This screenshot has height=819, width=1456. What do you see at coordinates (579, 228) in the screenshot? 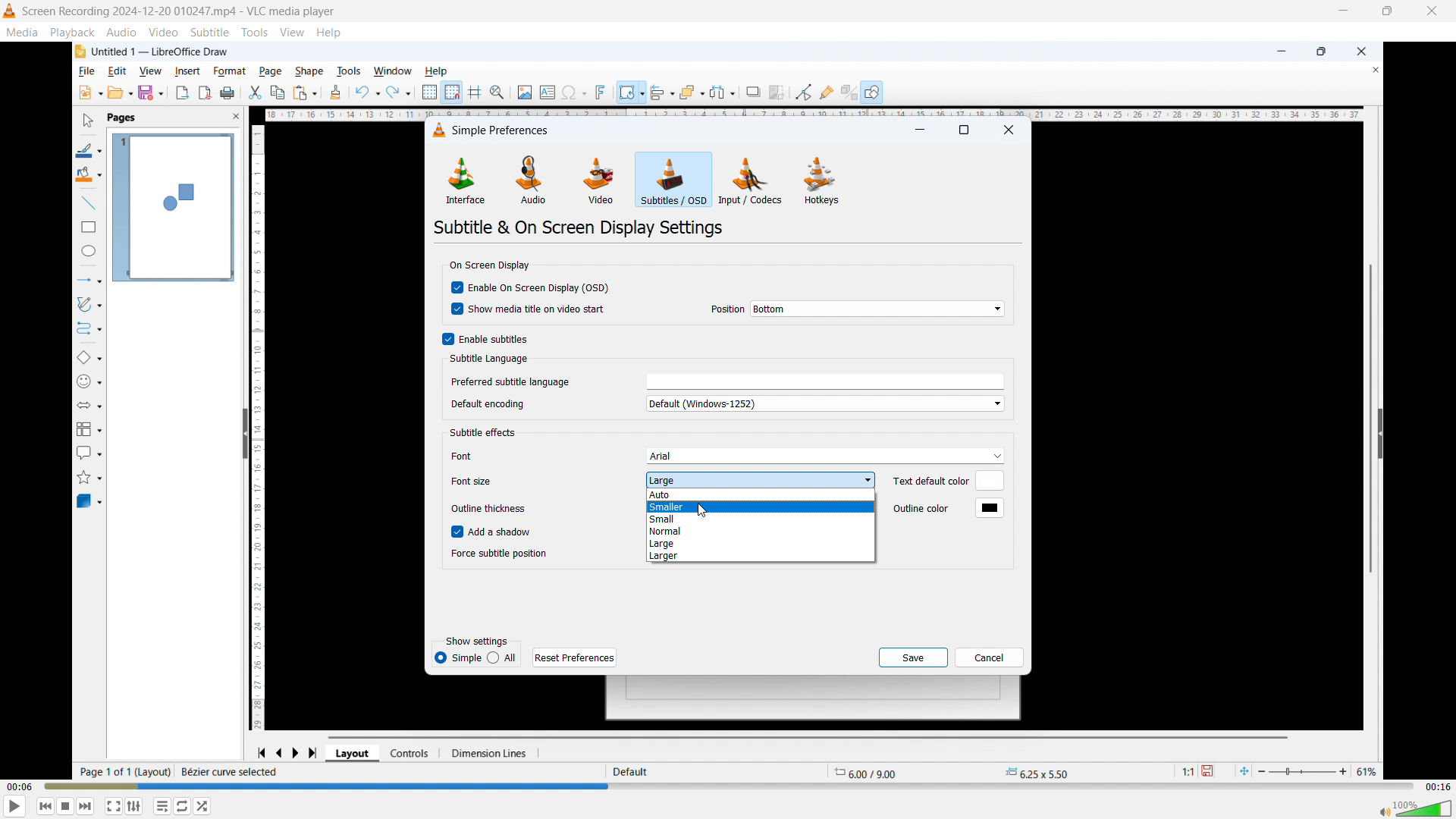
I see `Subtitle and on screen display settings ` at bounding box center [579, 228].